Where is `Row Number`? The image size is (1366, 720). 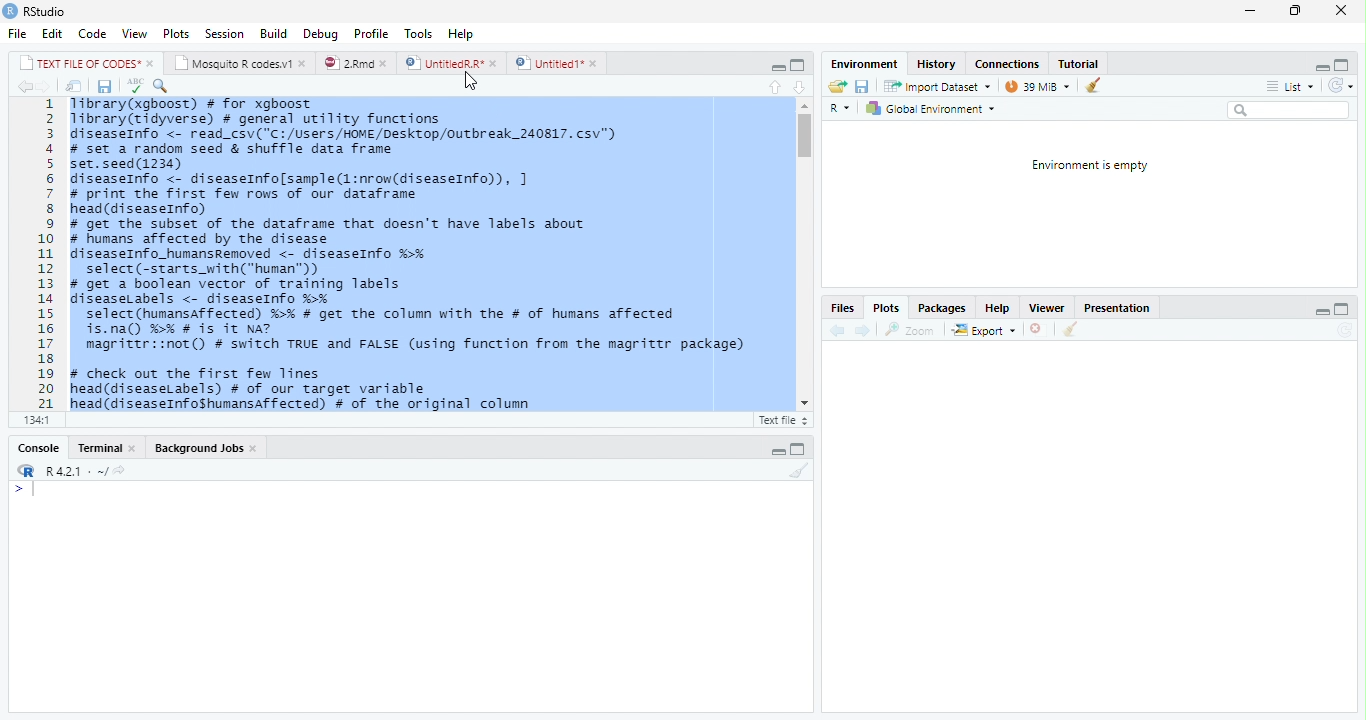 Row Number is located at coordinates (39, 255).